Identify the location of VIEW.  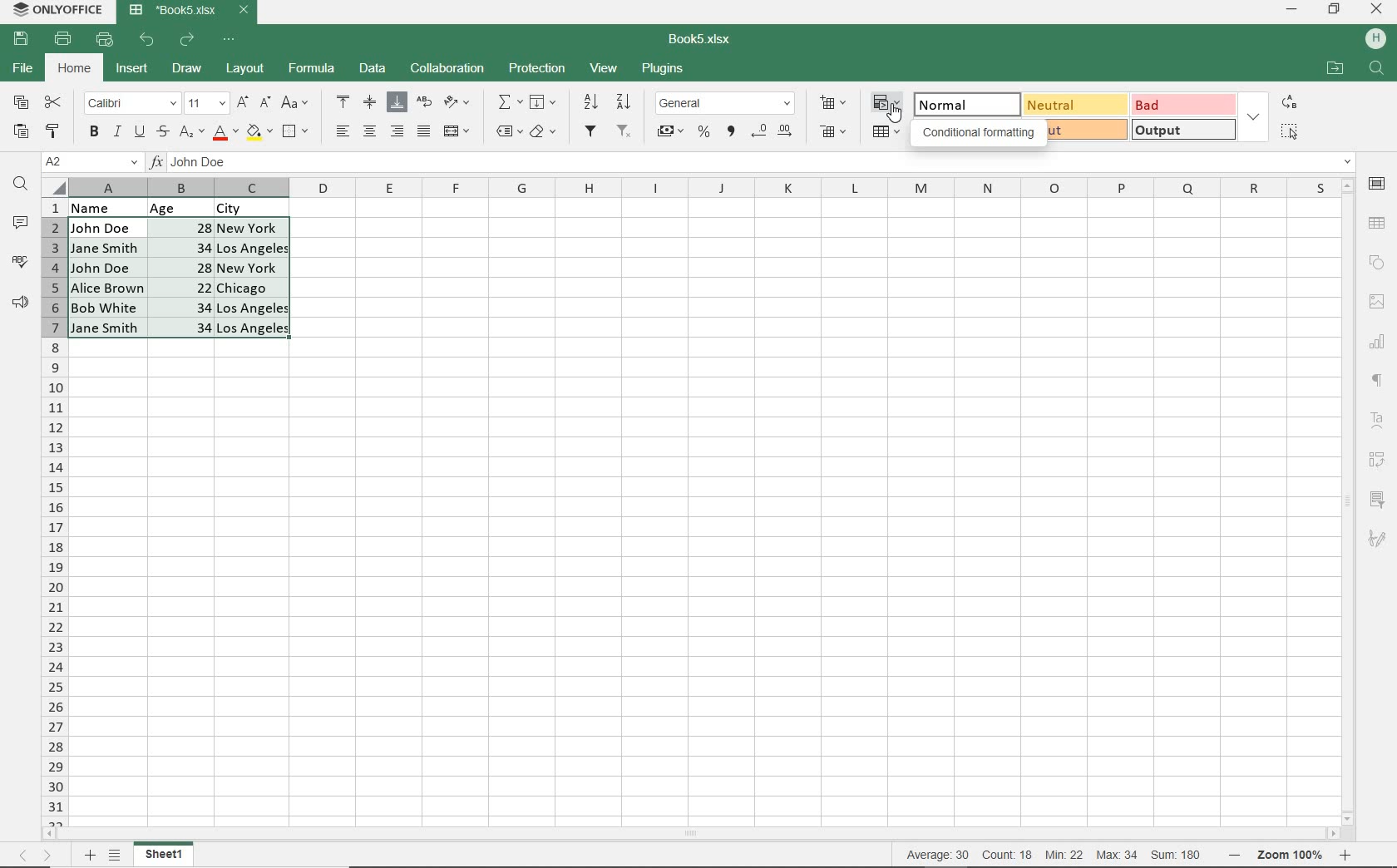
(605, 67).